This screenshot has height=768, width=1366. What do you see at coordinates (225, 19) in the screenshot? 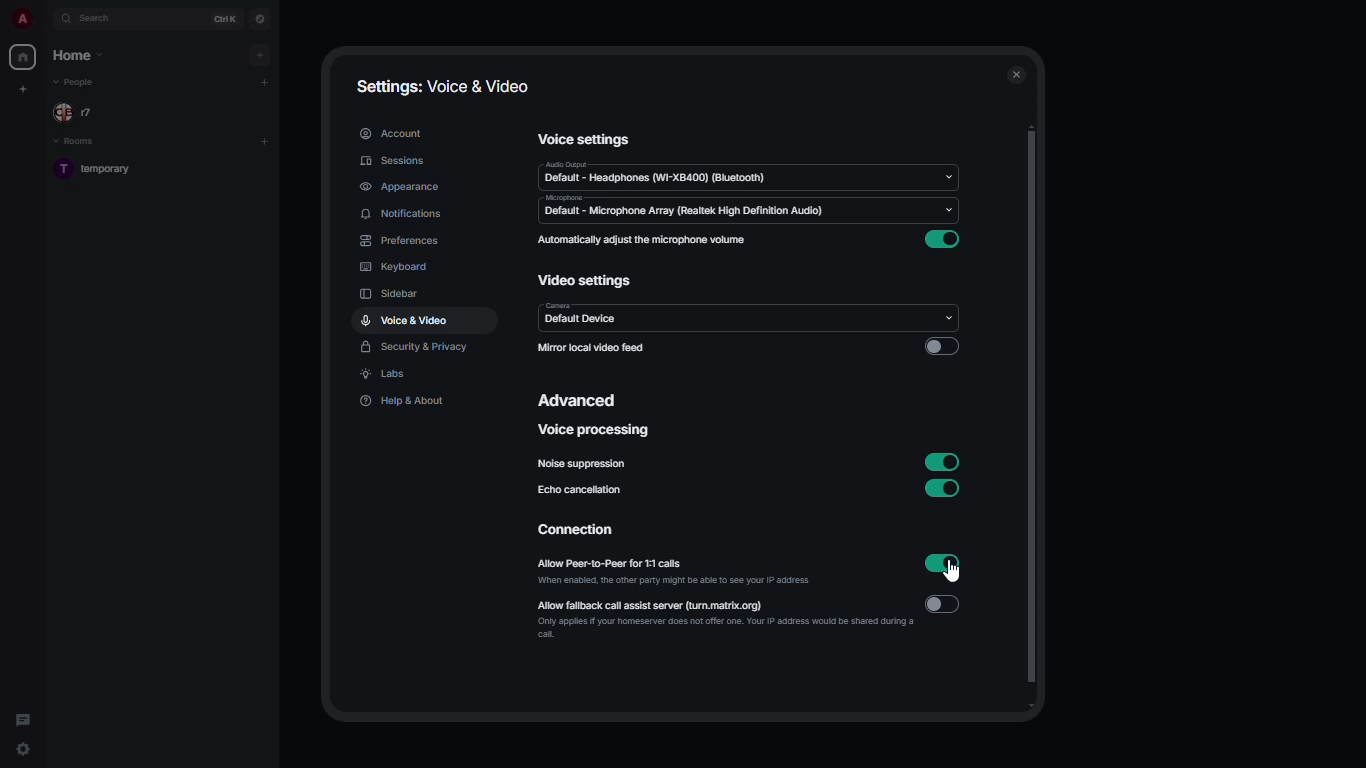
I see `ctrl K` at bounding box center [225, 19].